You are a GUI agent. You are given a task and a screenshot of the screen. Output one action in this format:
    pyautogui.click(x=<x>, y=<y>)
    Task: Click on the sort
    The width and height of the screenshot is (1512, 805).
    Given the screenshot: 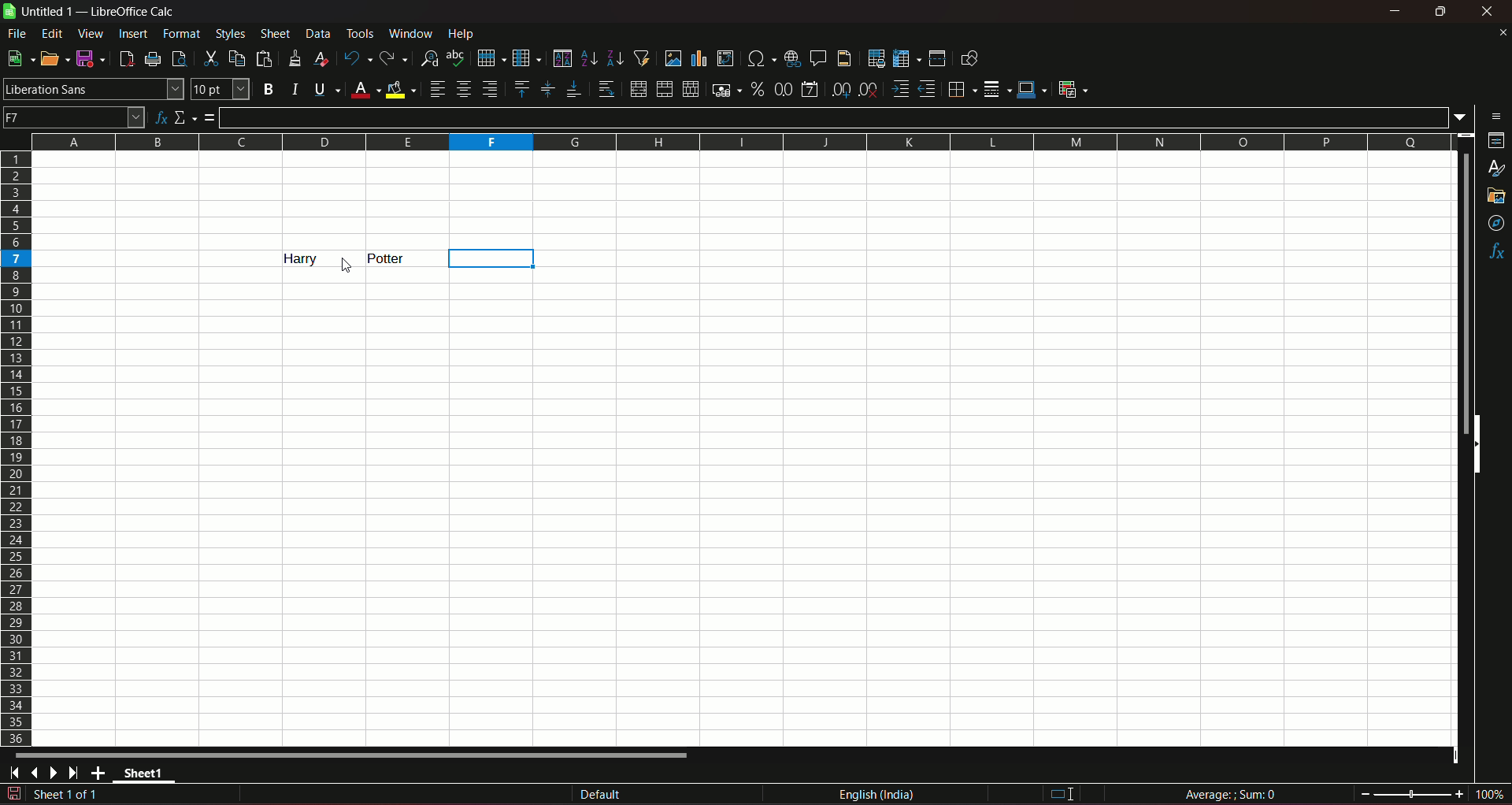 What is the action you would take?
    pyautogui.click(x=561, y=58)
    